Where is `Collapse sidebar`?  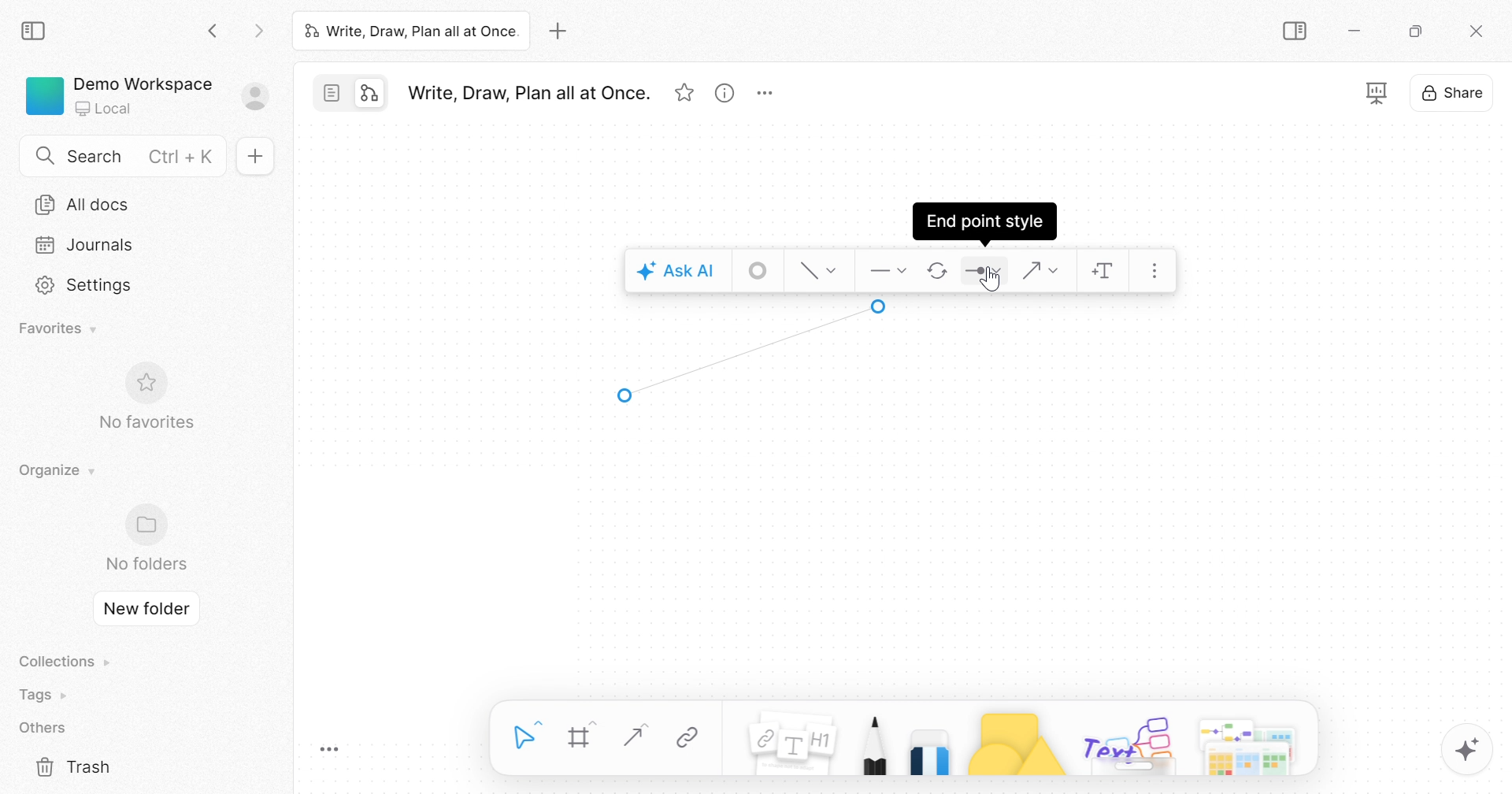 Collapse sidebar is located at coordinates (35, 31).